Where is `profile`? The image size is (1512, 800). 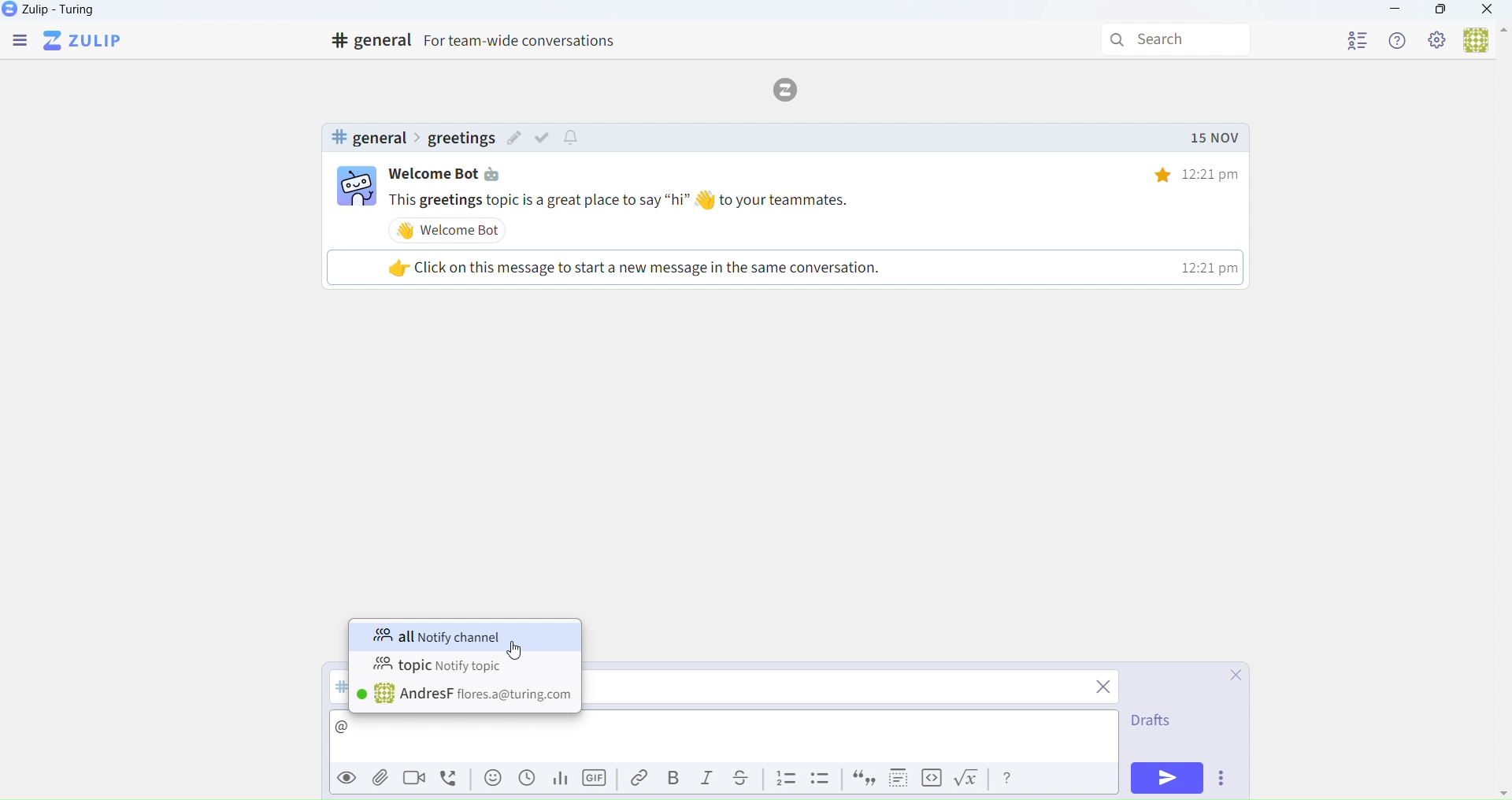
profile is located at coordinates (1358, 38).